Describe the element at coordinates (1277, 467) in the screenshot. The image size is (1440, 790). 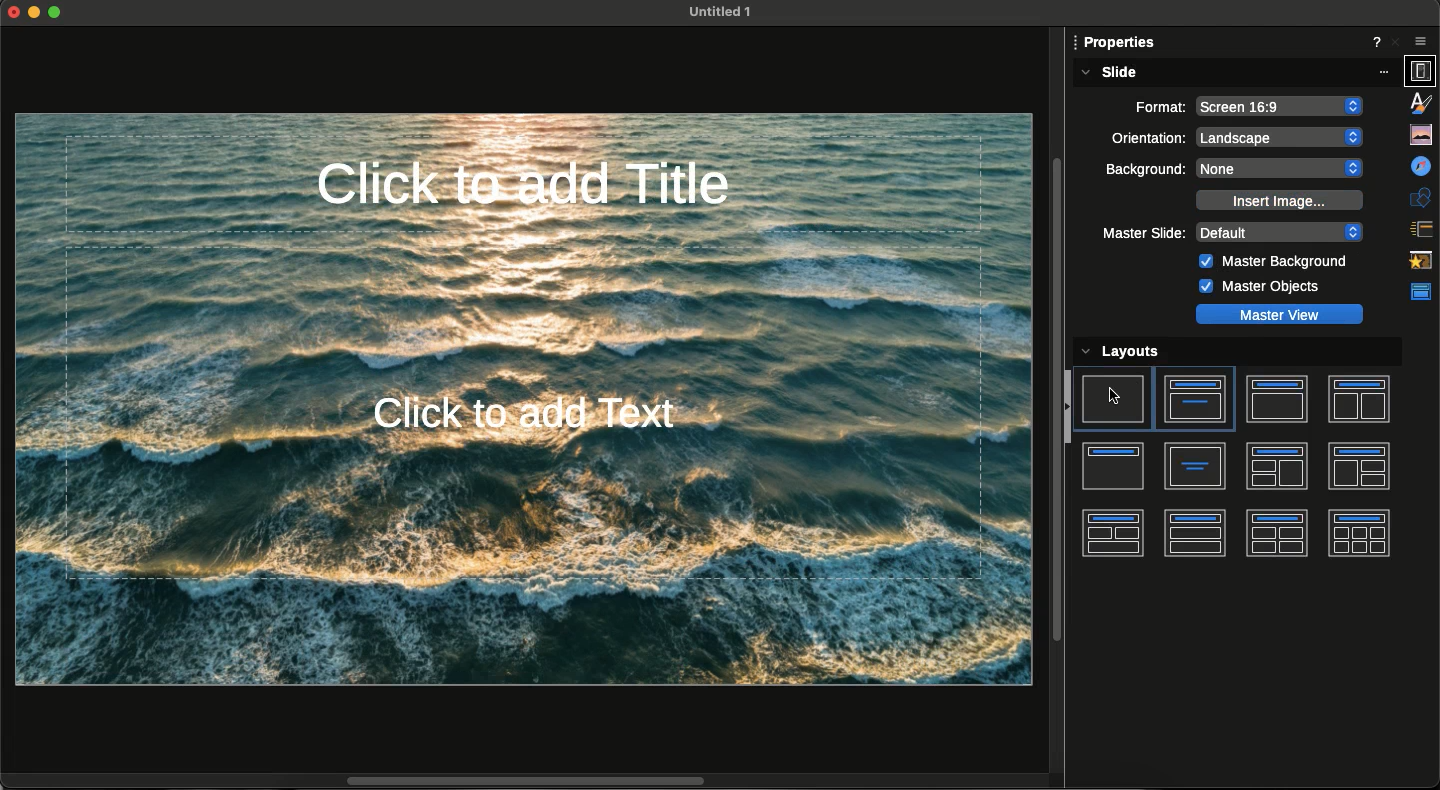
I see `Title and three boxes` at that location.